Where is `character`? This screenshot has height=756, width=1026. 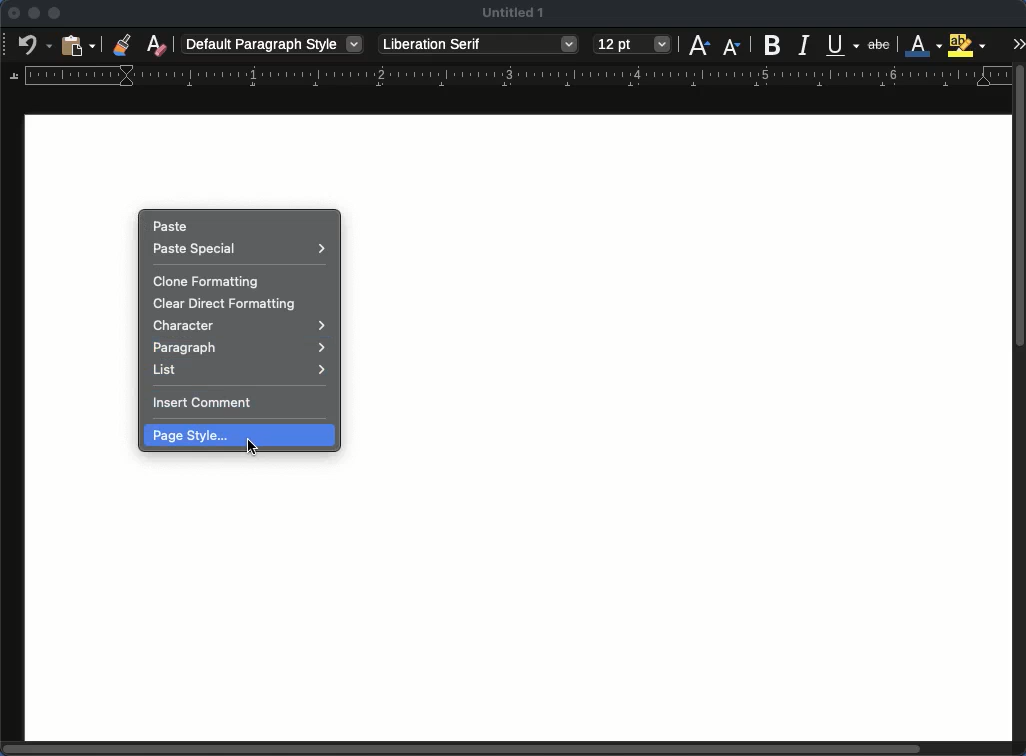 character is located at coordinates (241, 327).